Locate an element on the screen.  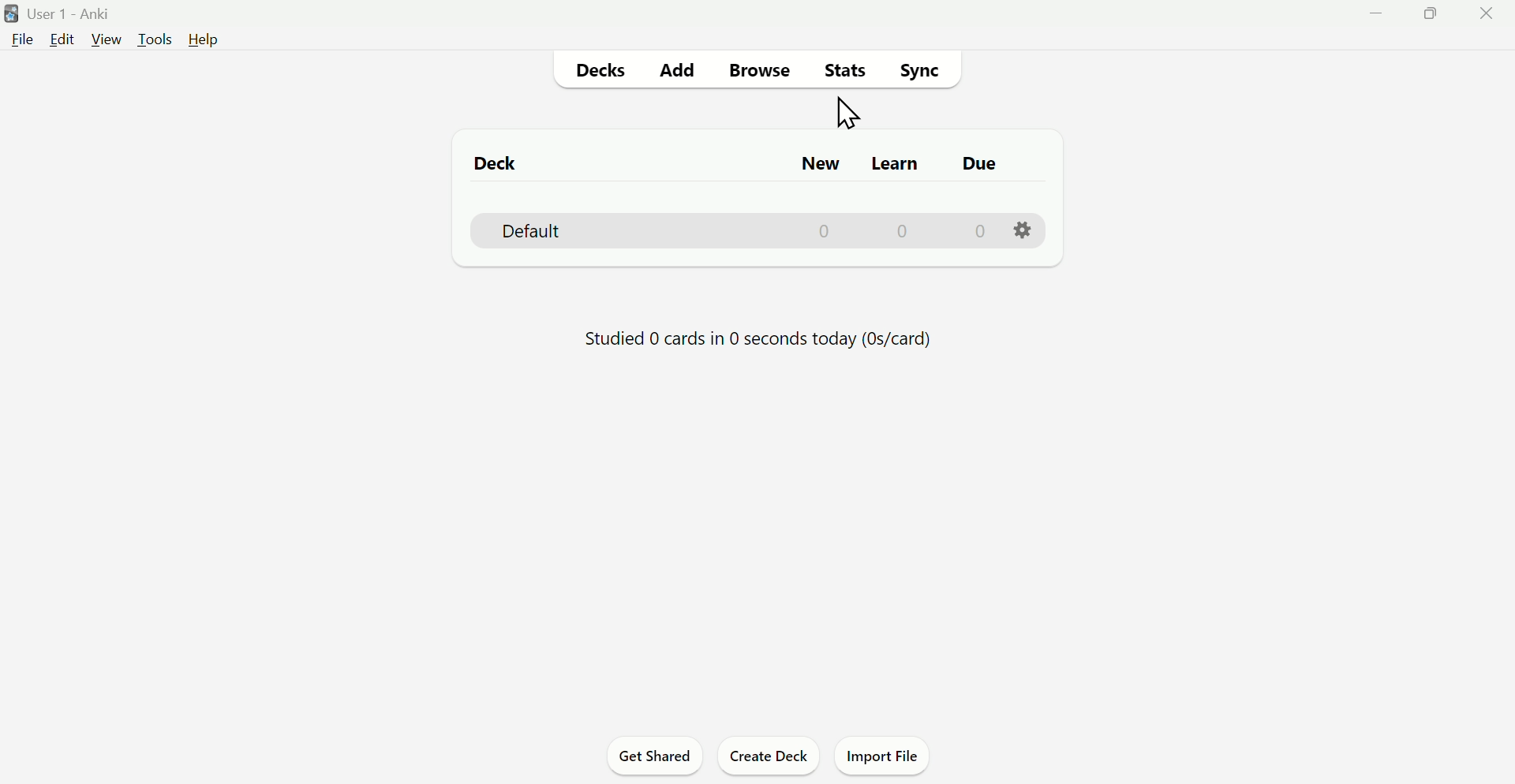
Create Deck is located at coordinates (772, 754).